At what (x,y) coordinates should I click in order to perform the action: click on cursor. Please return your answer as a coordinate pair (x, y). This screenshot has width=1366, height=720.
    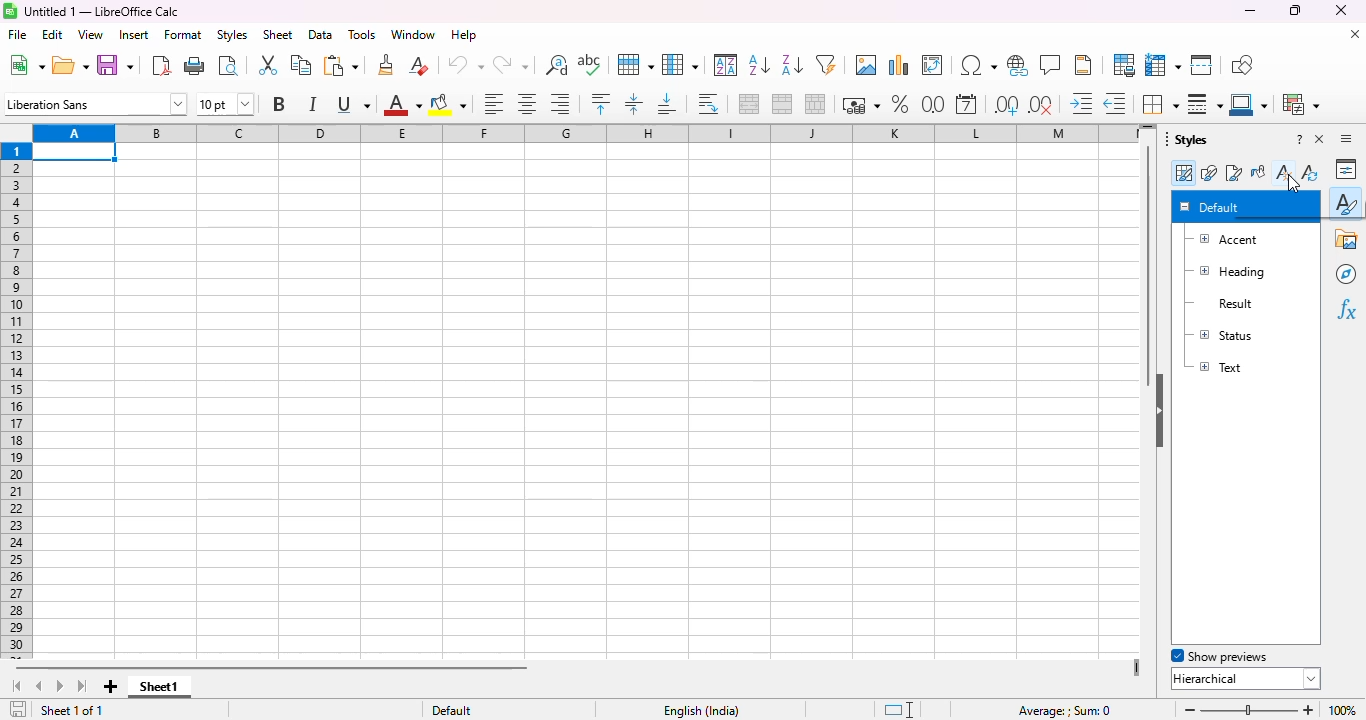
    Looking at the image, I should click on (1293, 184).